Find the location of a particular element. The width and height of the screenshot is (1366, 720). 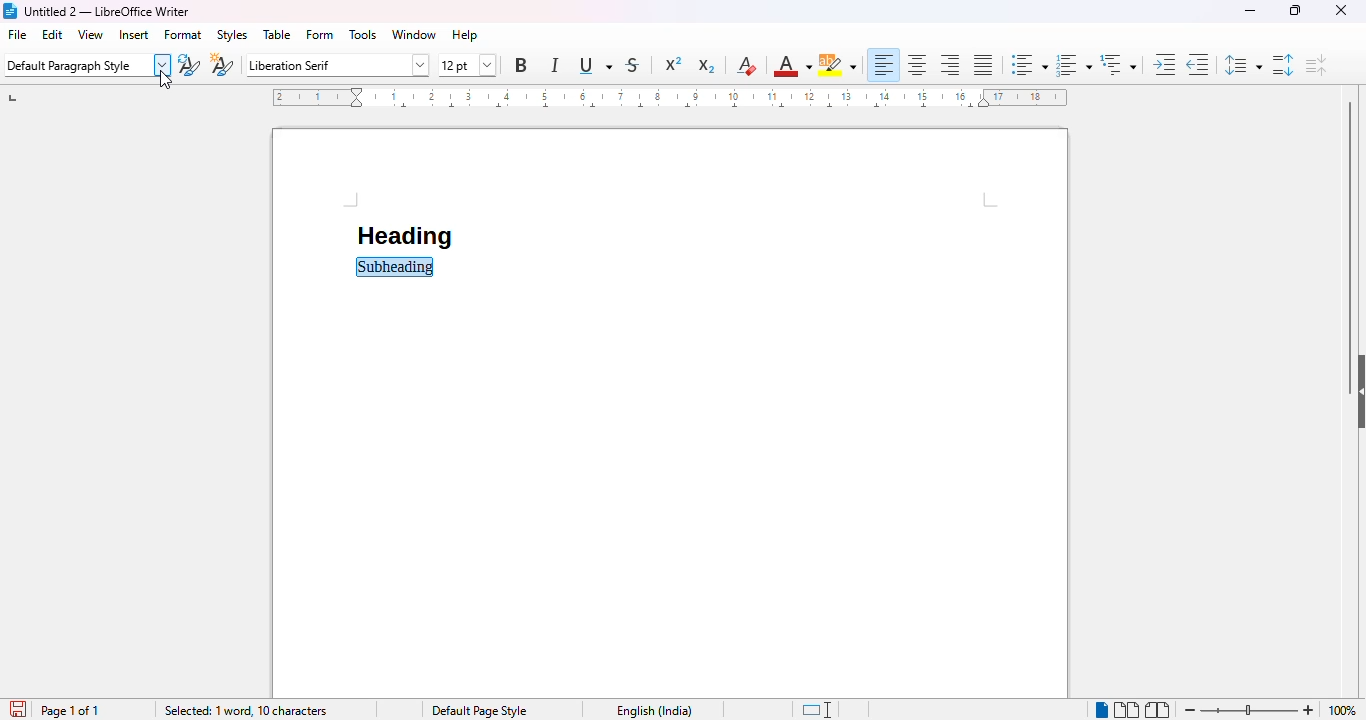

align center is located at coordinates (918, 65).